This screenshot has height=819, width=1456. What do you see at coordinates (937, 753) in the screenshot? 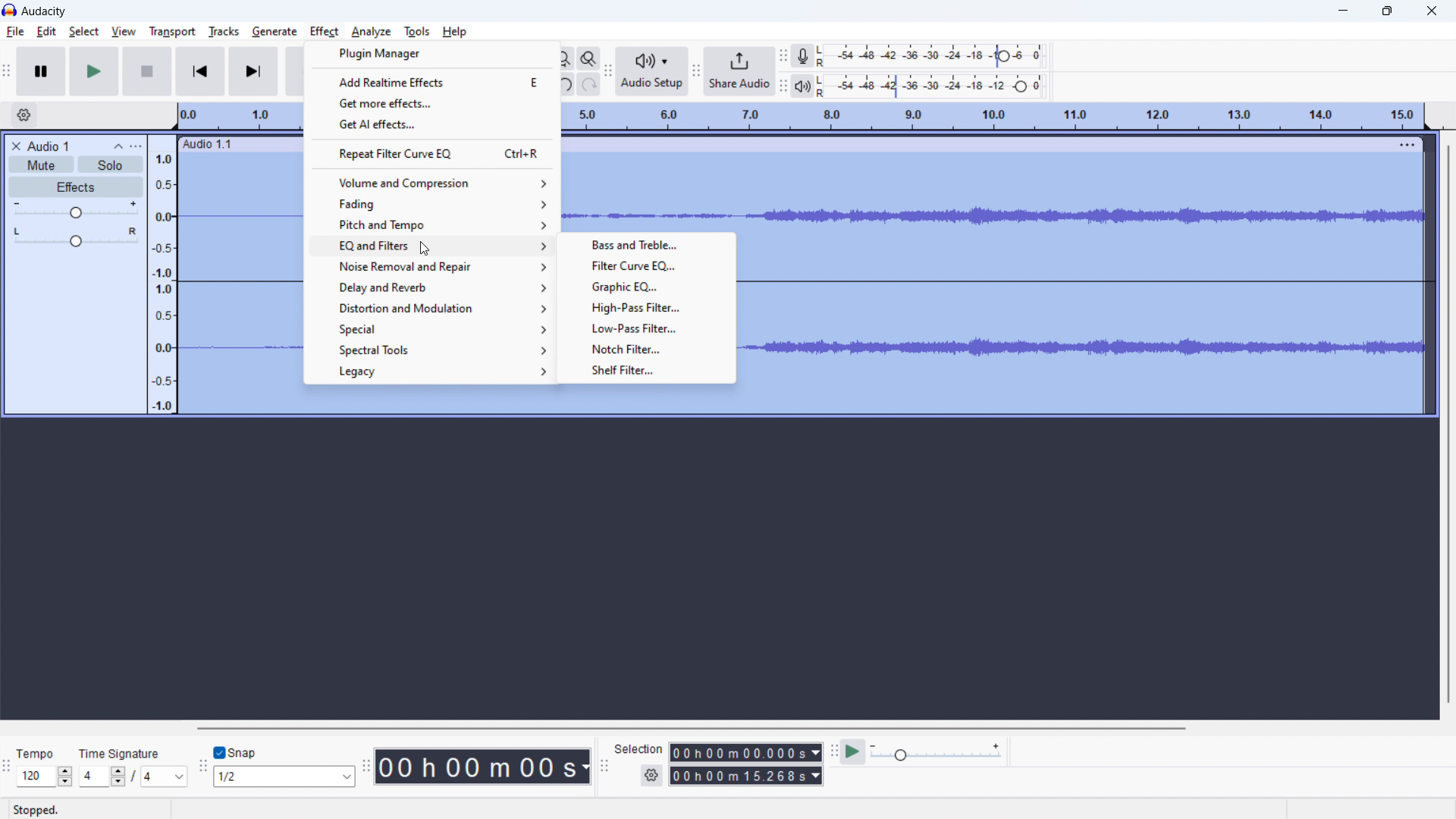
I see `playback speed` at bounding box center [937, 753].